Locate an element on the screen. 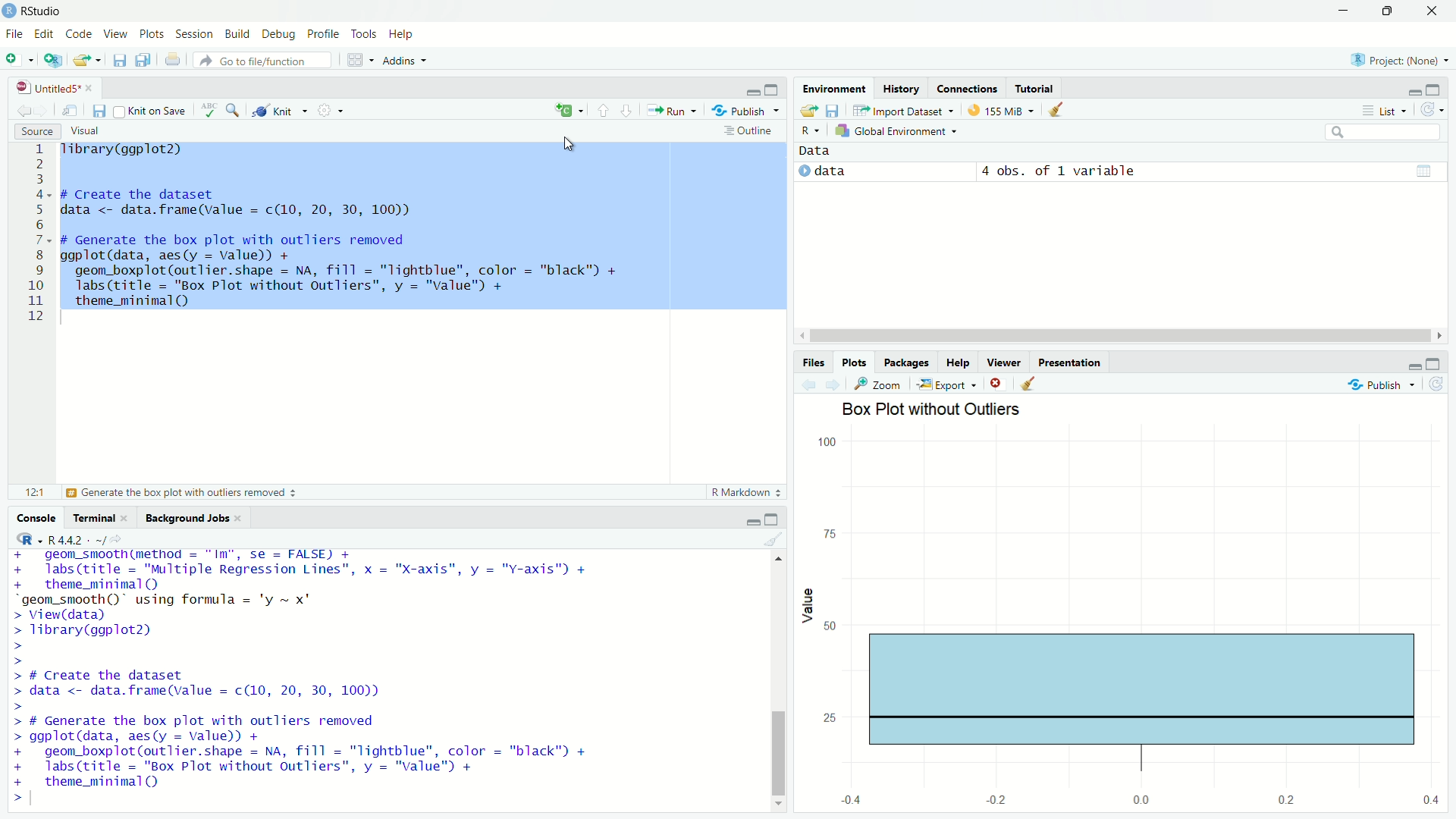  Source is located at coordinates (38, 130).